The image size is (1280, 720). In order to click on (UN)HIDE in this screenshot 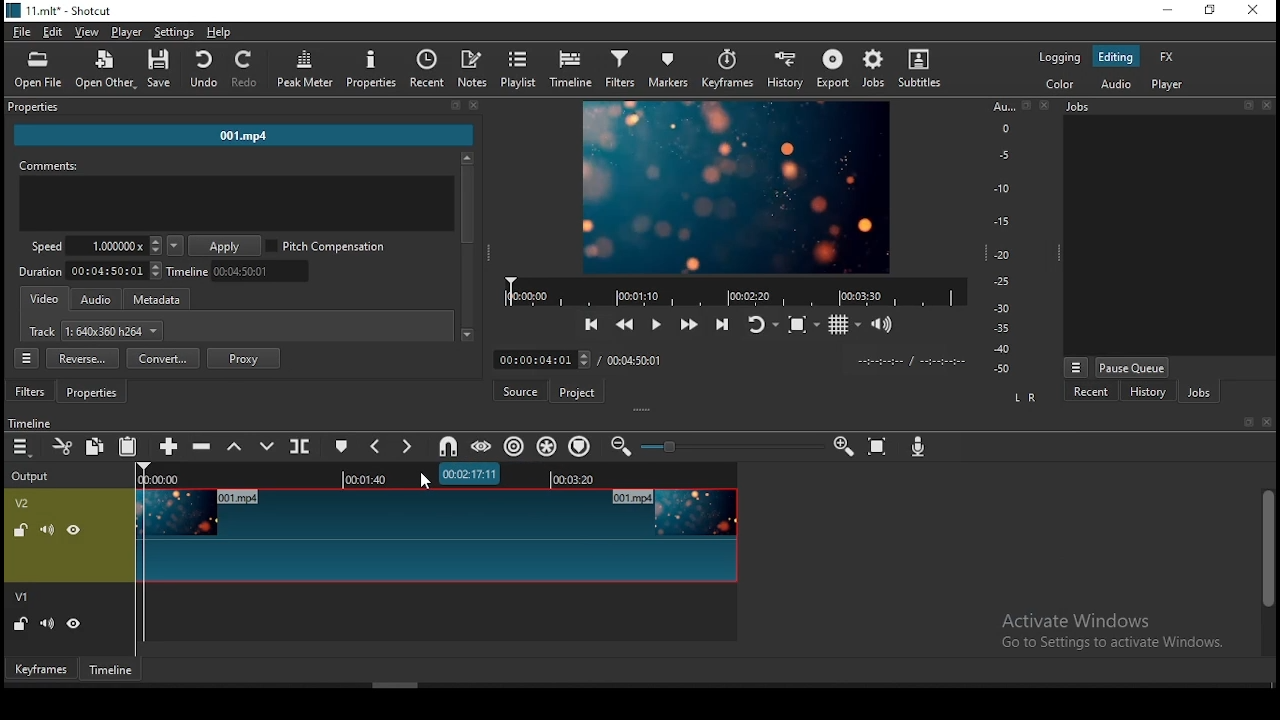, I will do `click(76, 530)`.